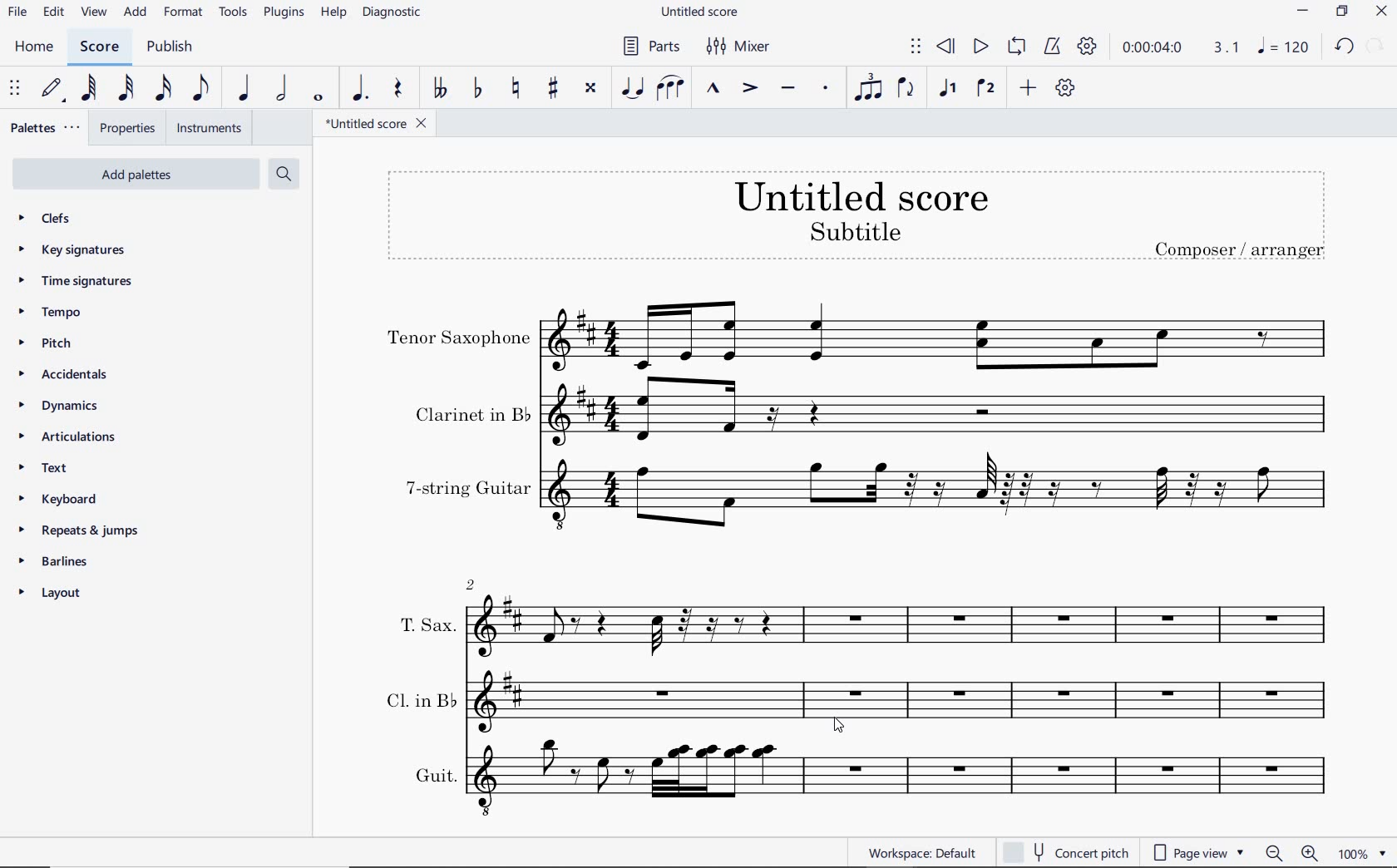 This screenshot has width=1397, height=868. I want to click on FORMAT, so click(184, 12).